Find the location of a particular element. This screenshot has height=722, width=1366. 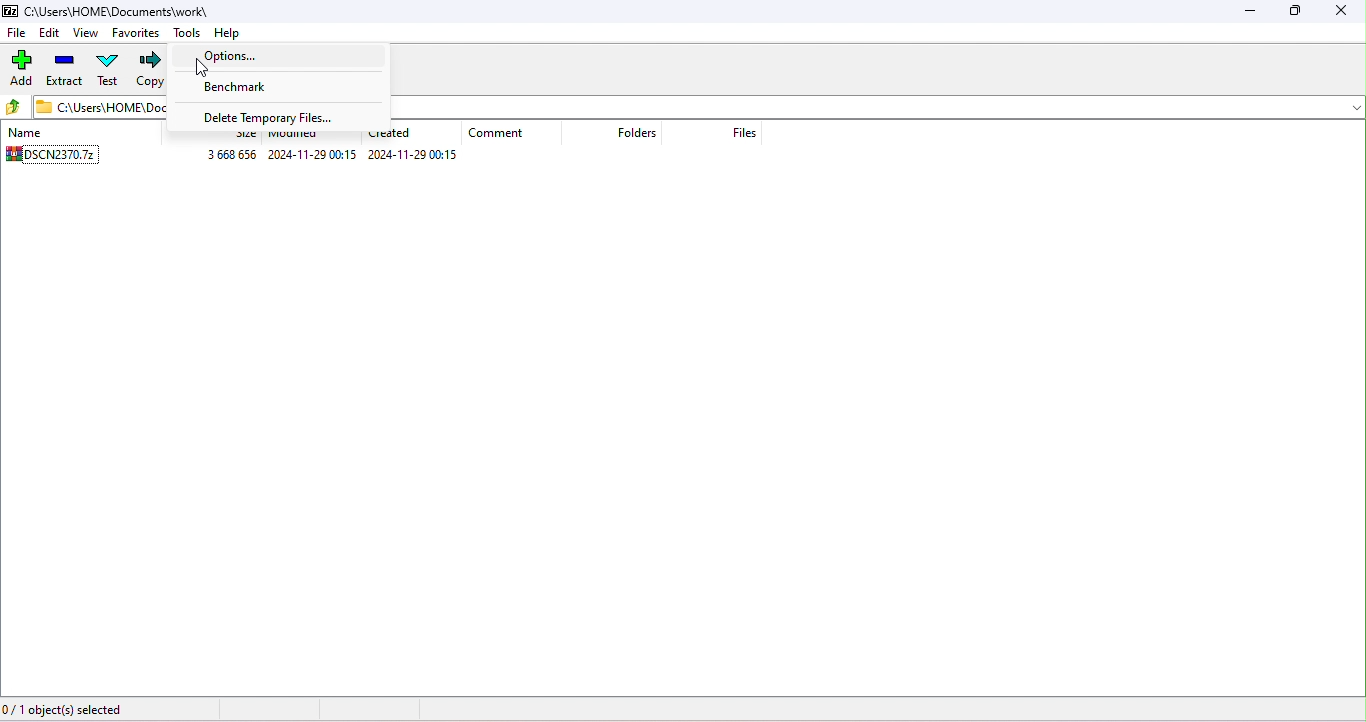

file is located at coordinates (17, 34).